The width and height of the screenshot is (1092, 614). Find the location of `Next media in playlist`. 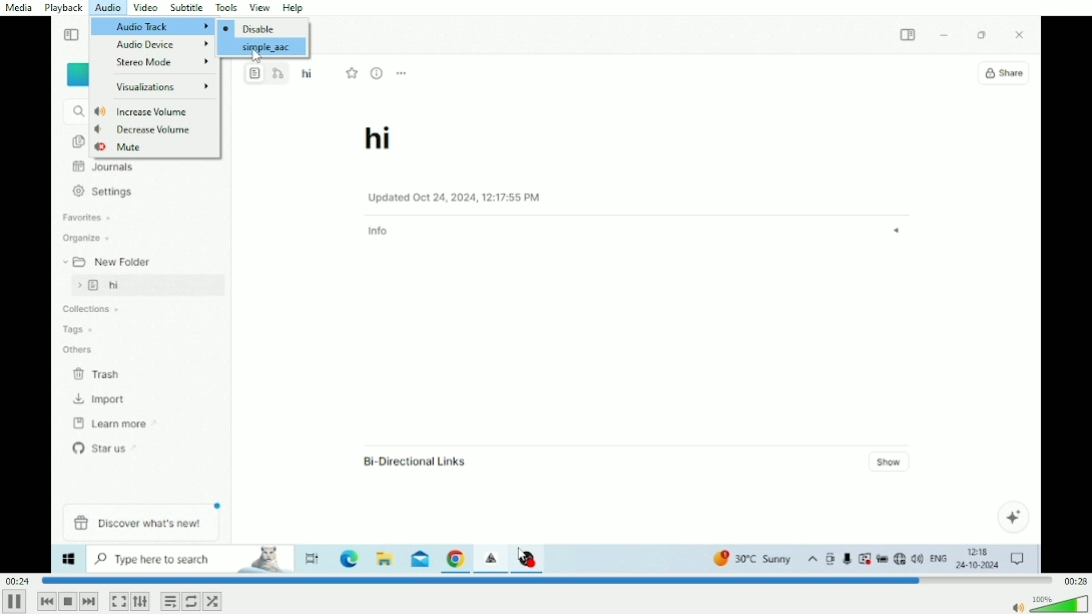

Next media in playlist is located at coordinates (89, 602).